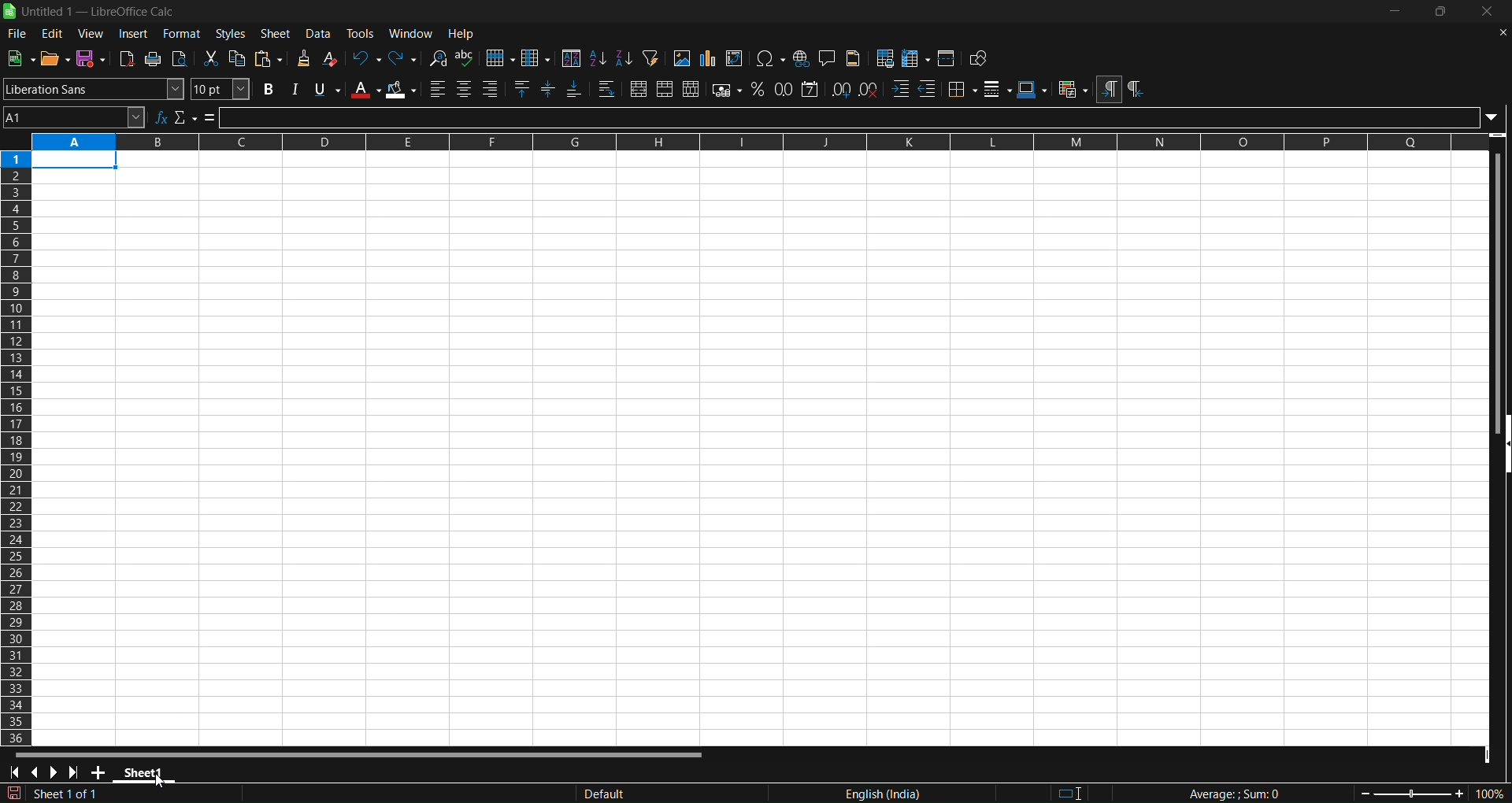 Image resolution: width=1512 pixels, height=803 pixels. What do you see at coordinates (53, 34) in the screenshot?
I see `edit` at bounding box center [53, 34].